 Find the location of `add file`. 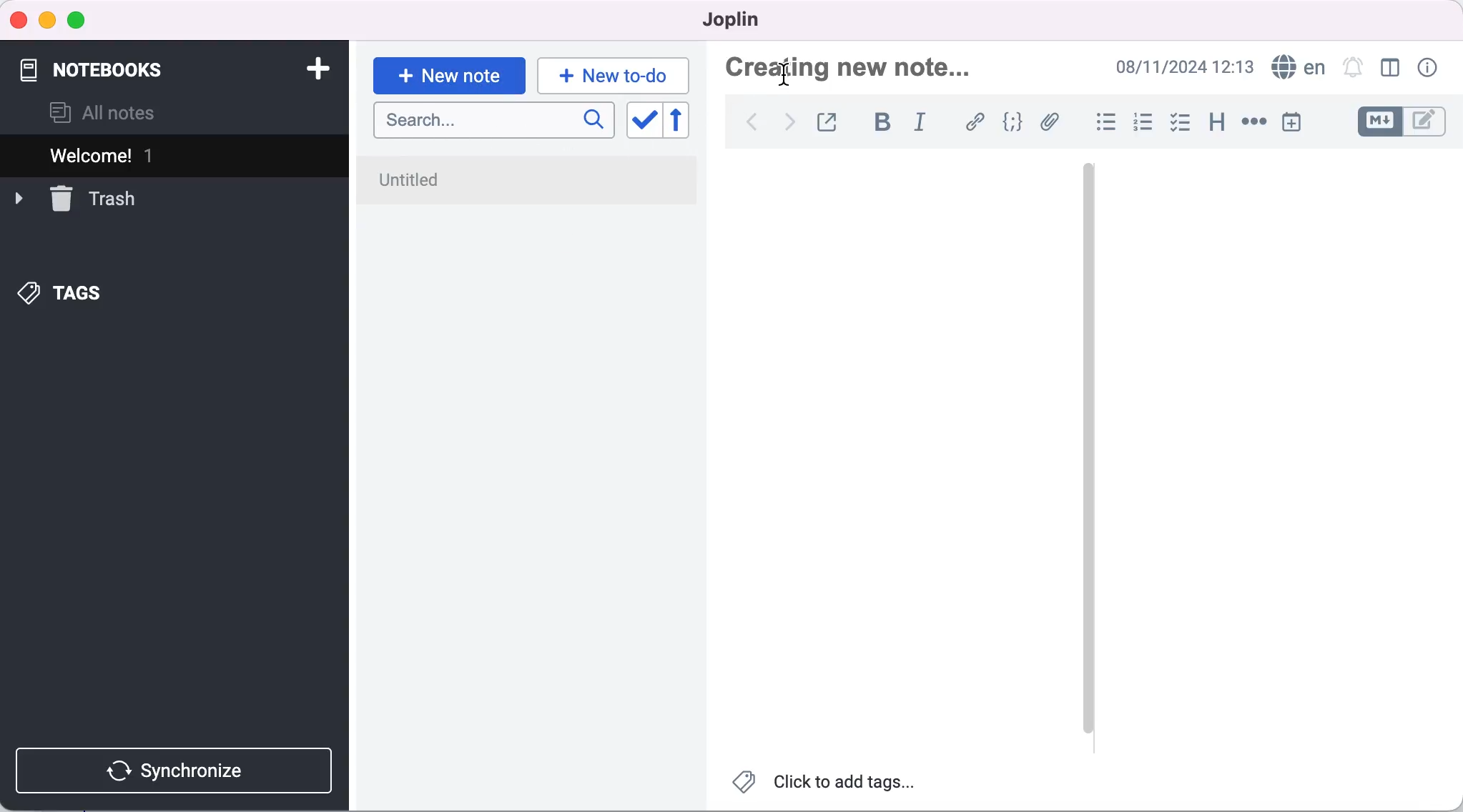

add file is located at coordinates (1053, 124).